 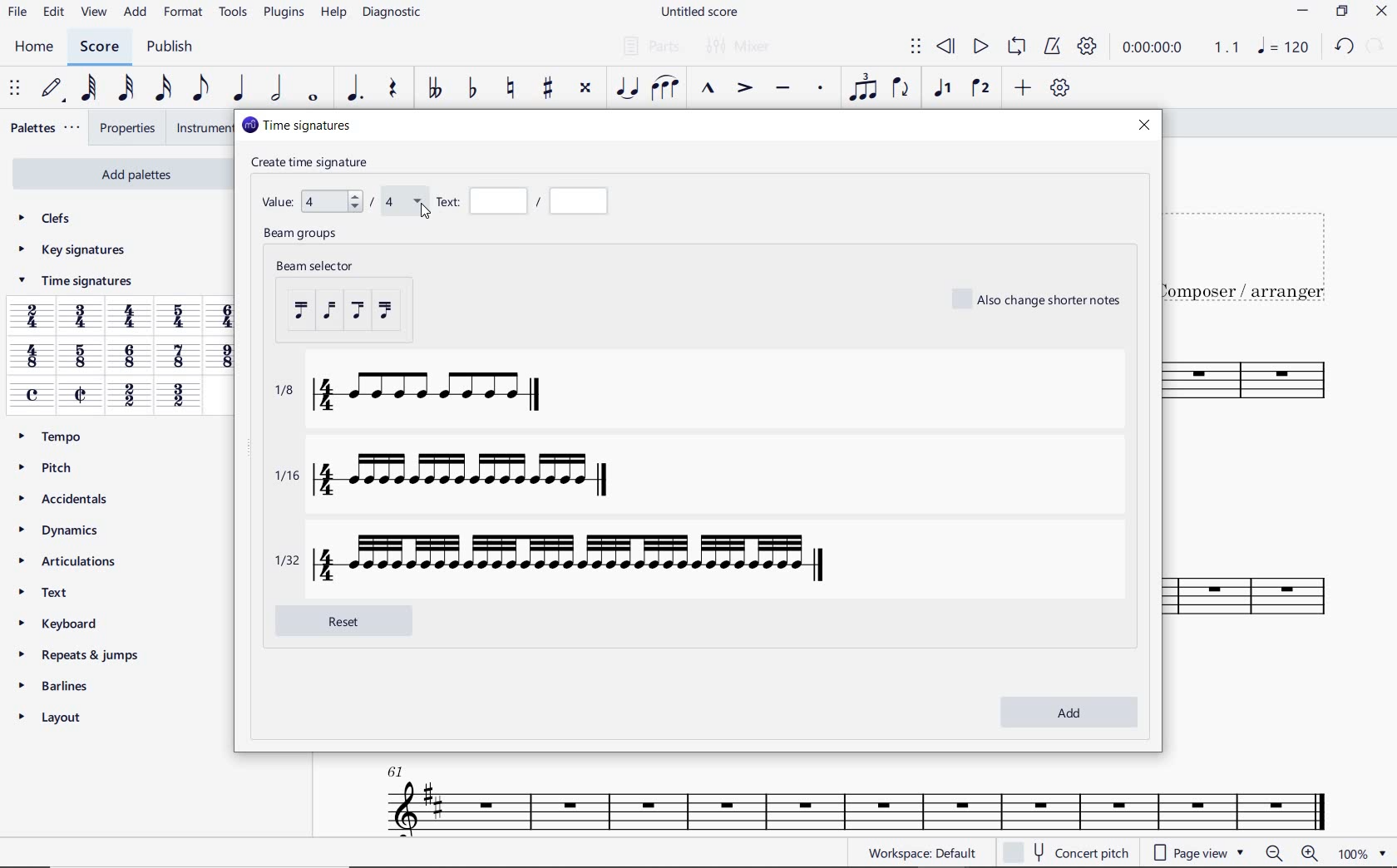 I want to click on 3/2, so click(x=177, y=397).